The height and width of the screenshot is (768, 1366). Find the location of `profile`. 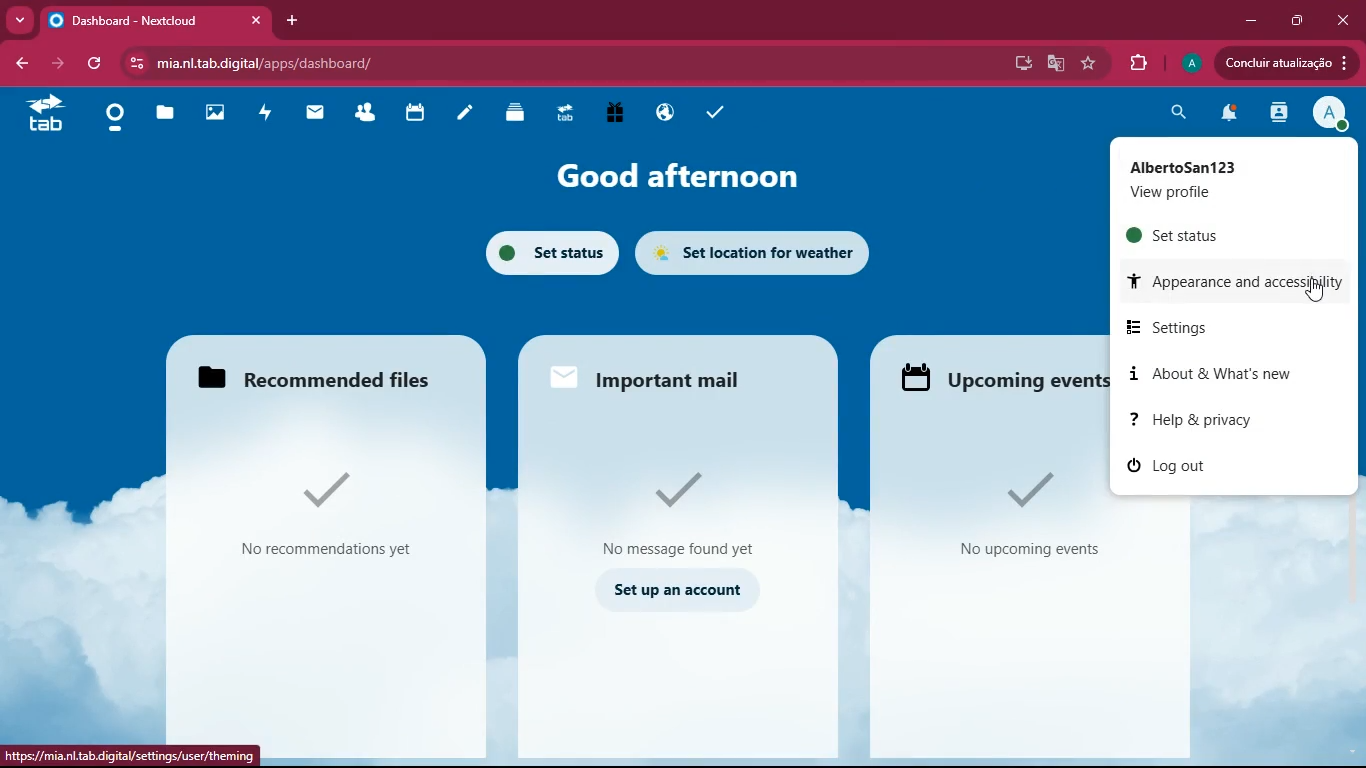

profile is located at coordinates (1332, 115).